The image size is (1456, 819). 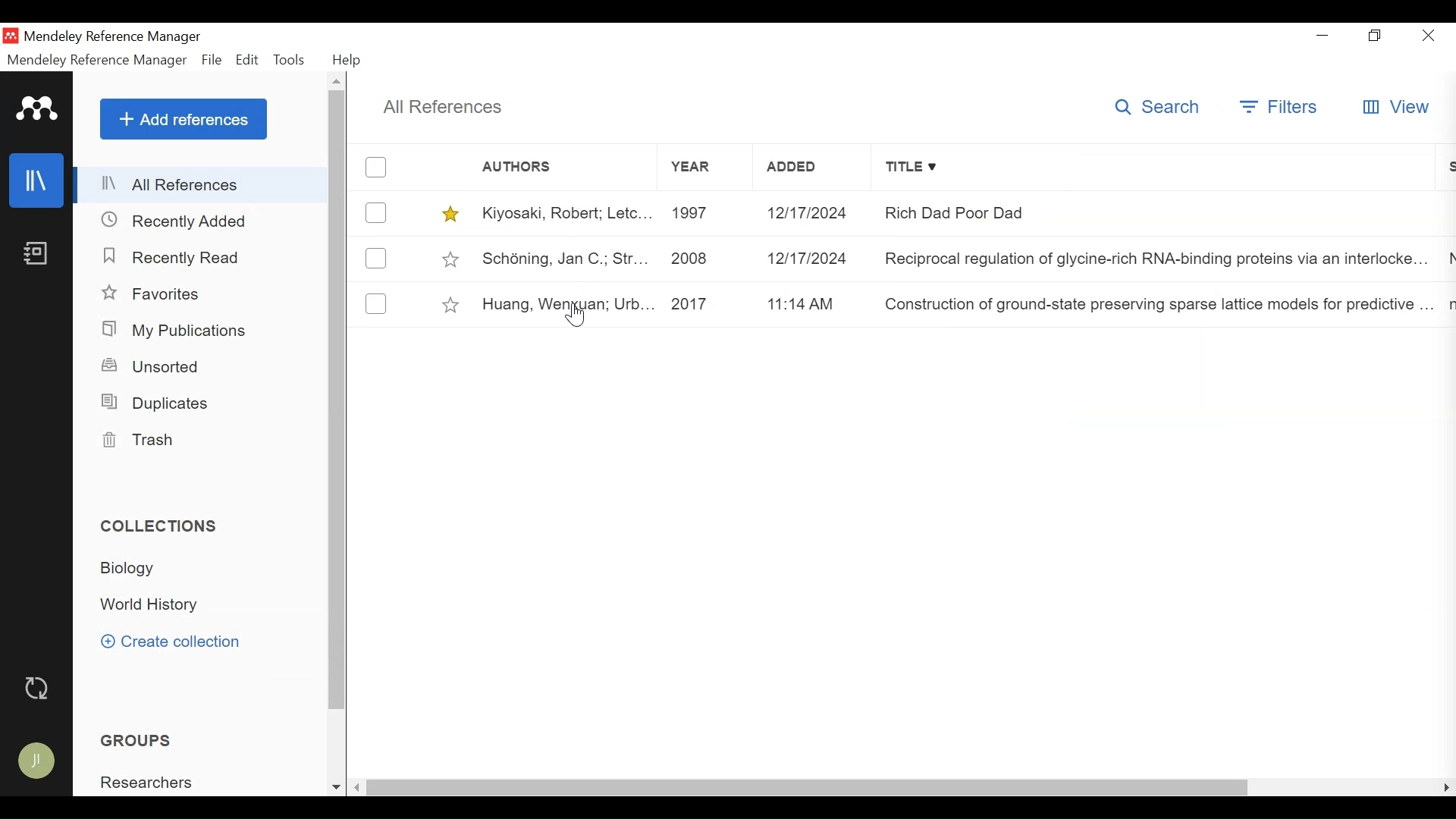 I want to click on Title, so click(x=1153, y=168).